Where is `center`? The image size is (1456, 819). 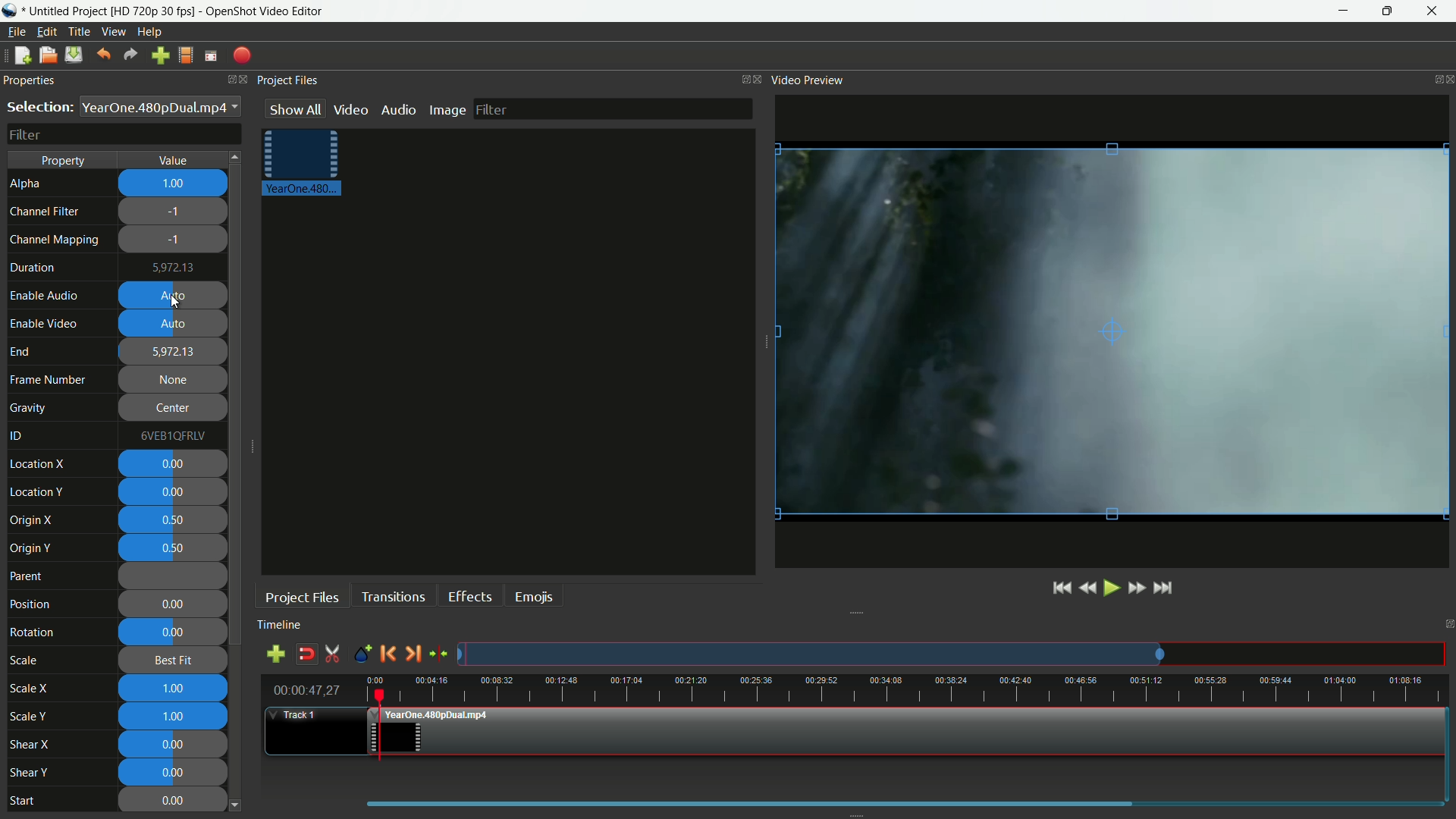 center is located at coordinates (171, 409).